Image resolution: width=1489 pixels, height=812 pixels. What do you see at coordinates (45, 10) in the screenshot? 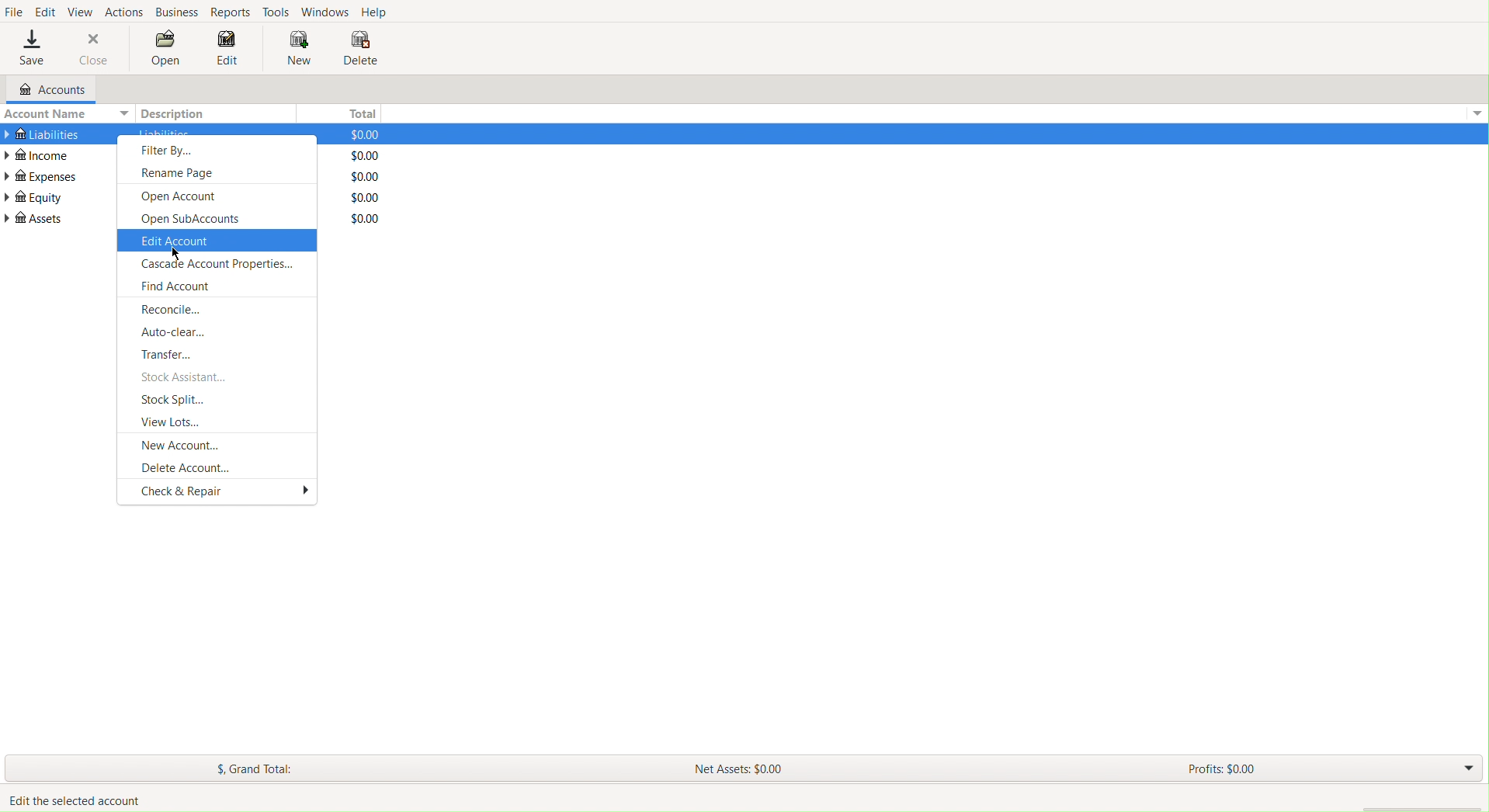
I see `Edit` at bounding box center [45, 10].